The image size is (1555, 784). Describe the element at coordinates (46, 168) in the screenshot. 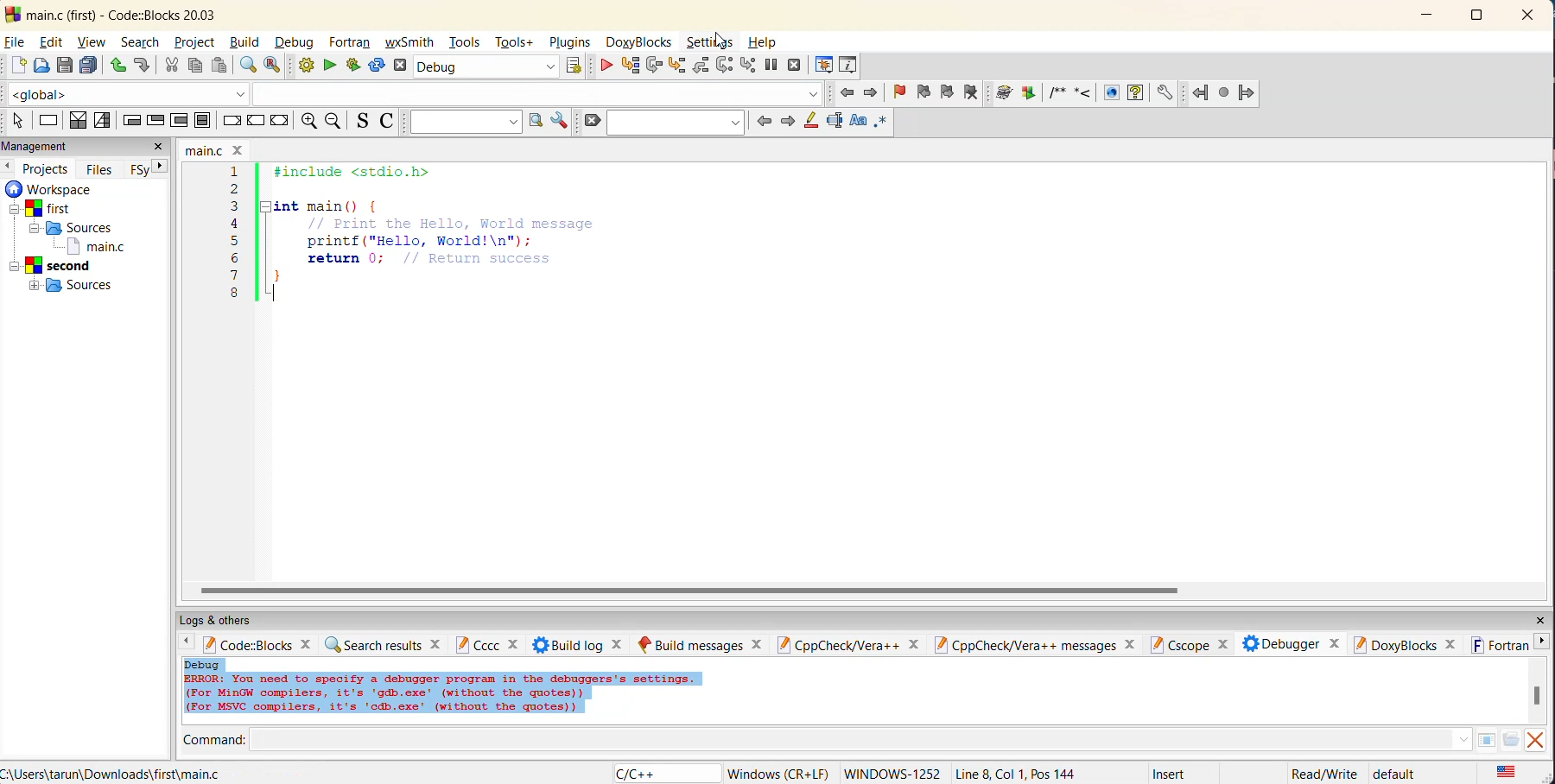

I see `projects` at that location.